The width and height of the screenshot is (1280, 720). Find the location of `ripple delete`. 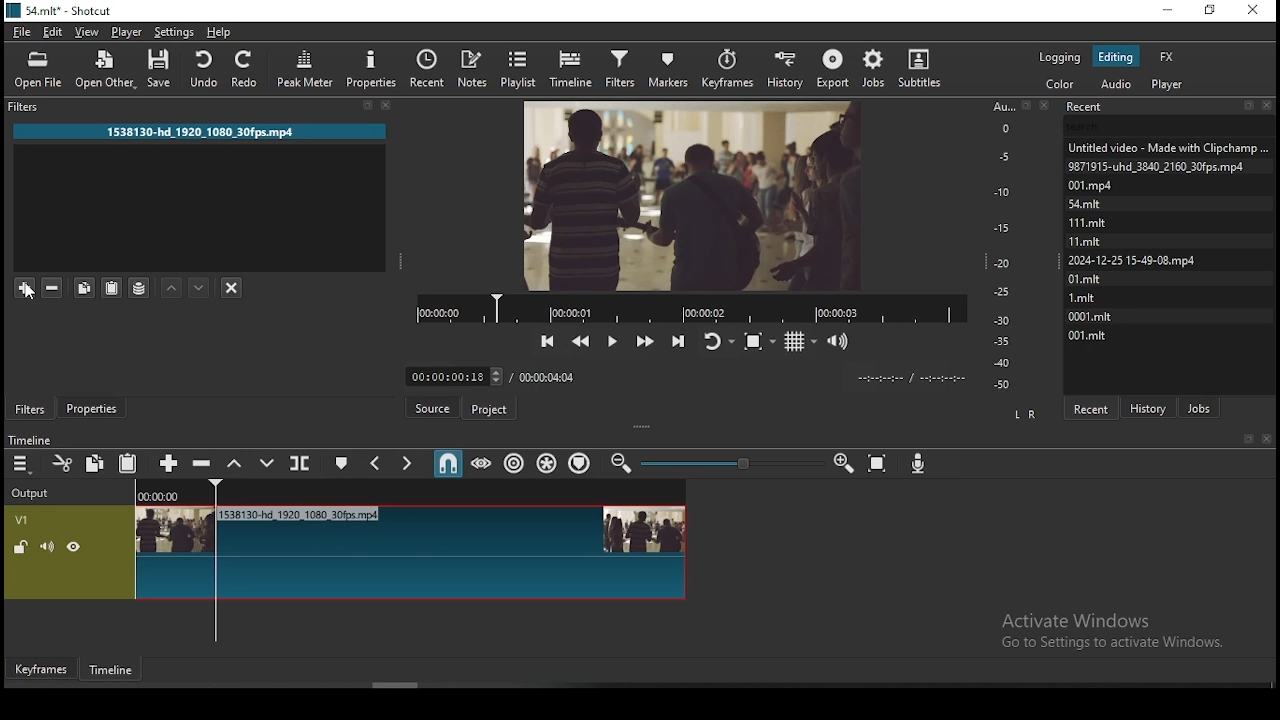

ripple delete is located at coordinates (205, 463).